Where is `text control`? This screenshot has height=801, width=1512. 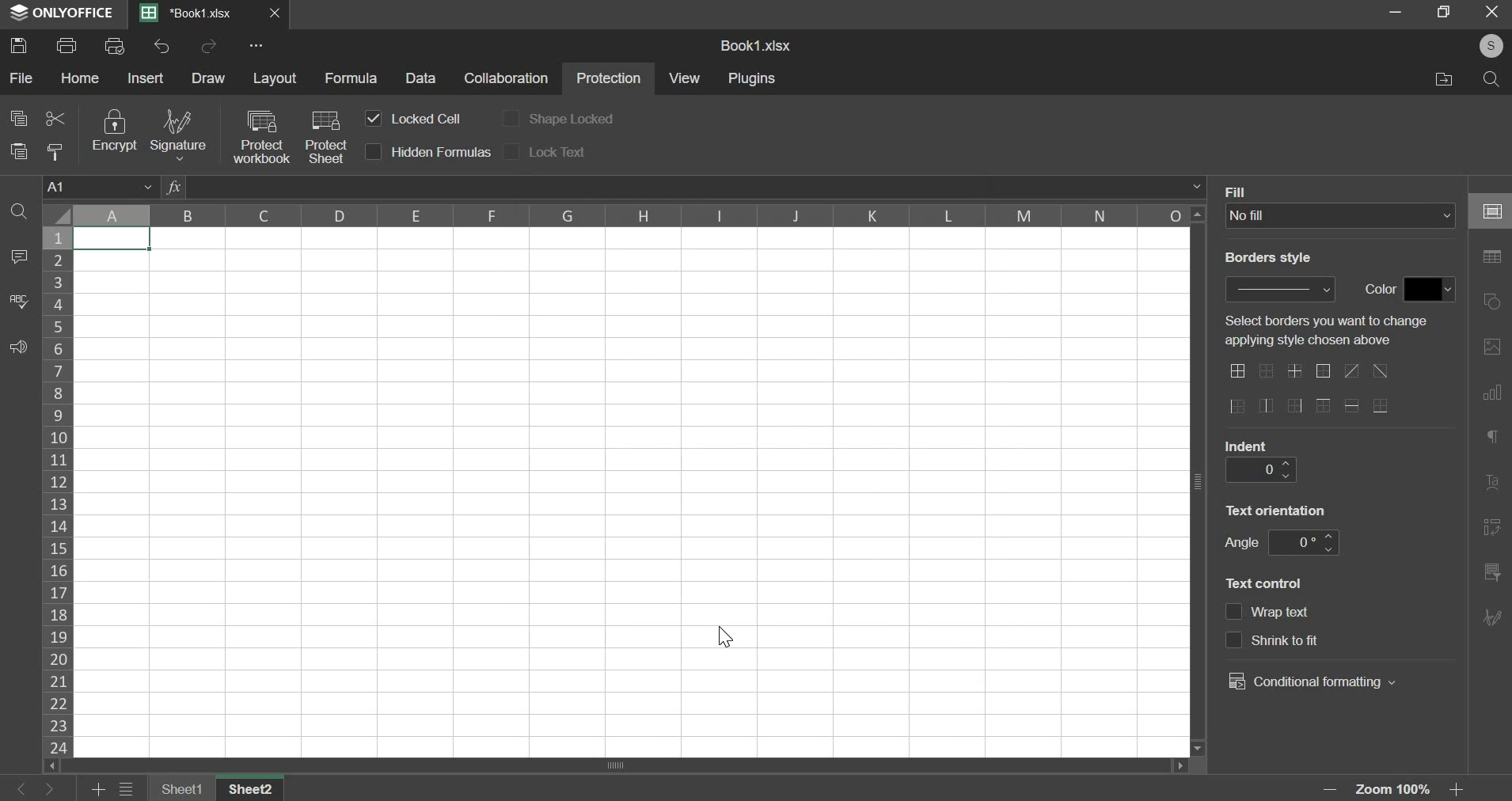
text control is located at coordinates (1311, 640).